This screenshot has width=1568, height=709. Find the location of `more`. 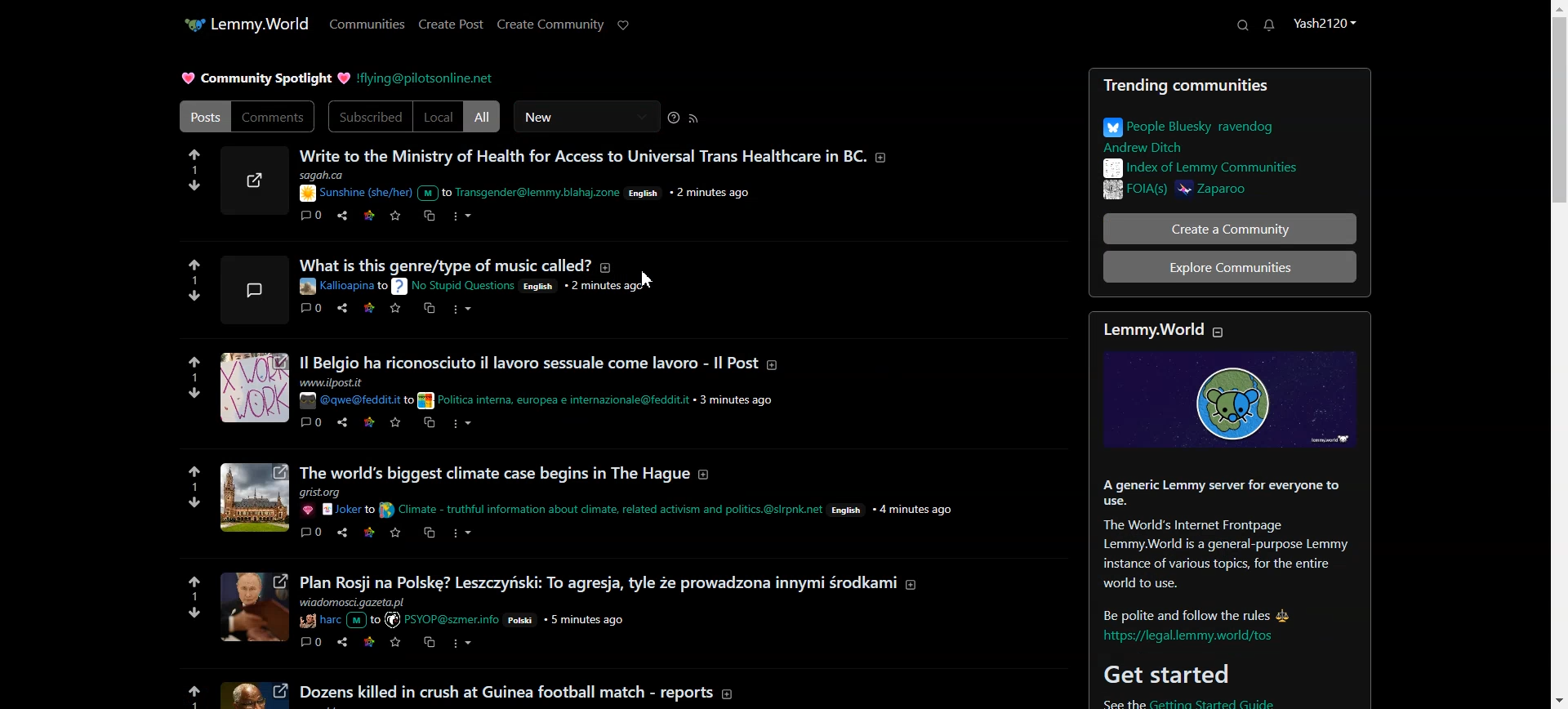

more is located at coordinates (461, 312).